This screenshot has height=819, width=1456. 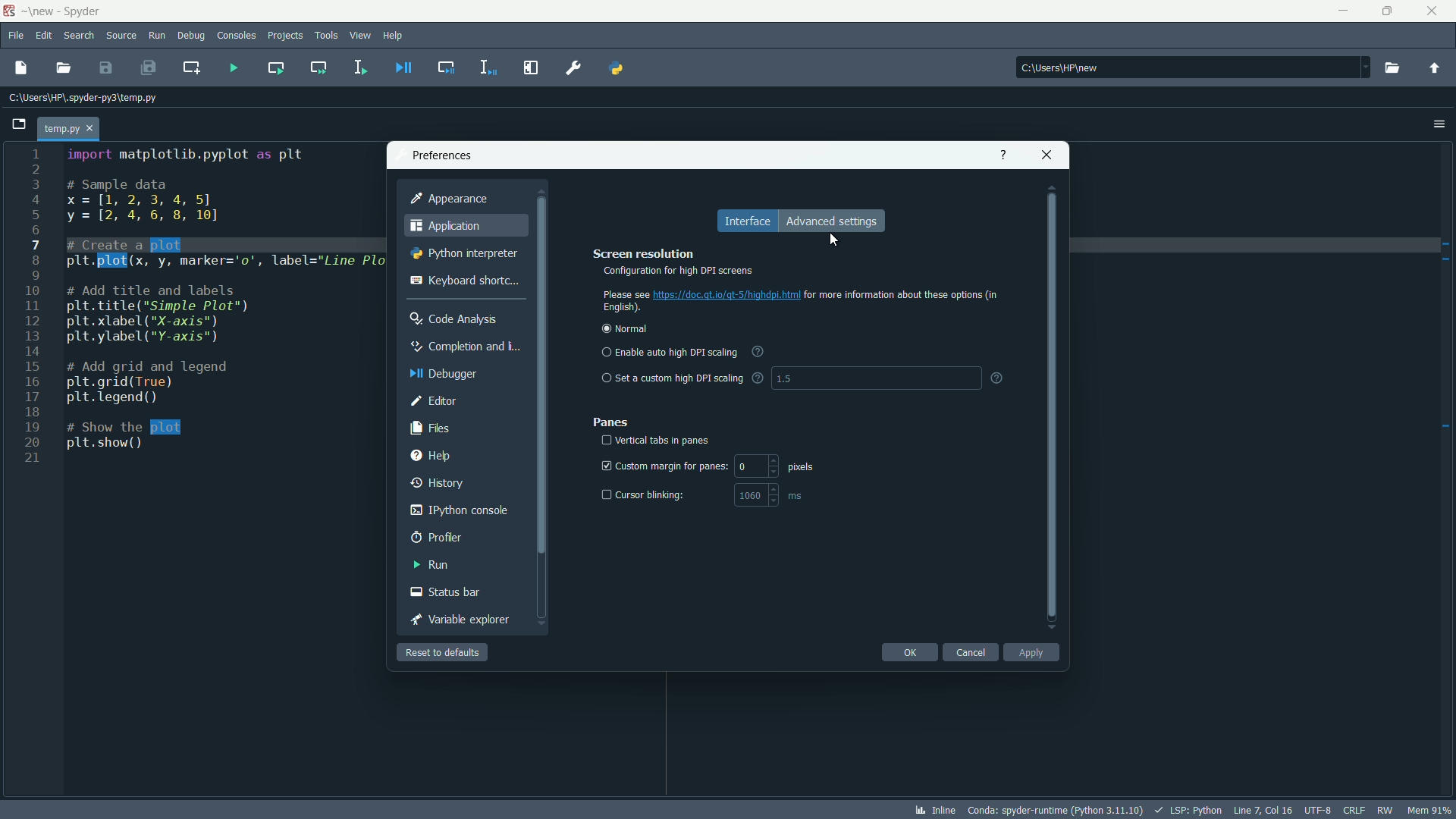 I want to click on cancel, so click(x=971, y=652).